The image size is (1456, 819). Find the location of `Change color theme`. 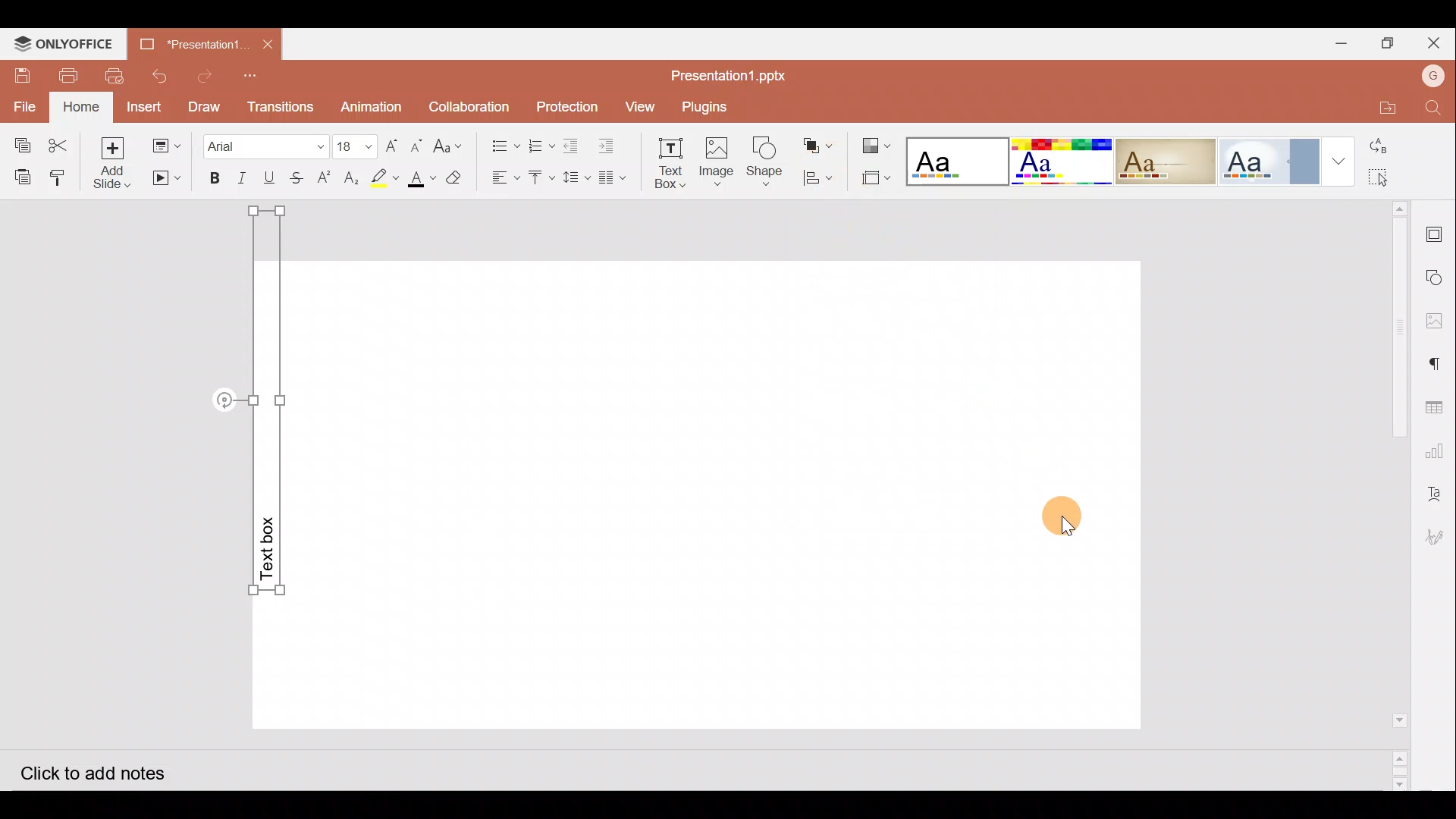

Change color theme is located at coordinates (875, 145).